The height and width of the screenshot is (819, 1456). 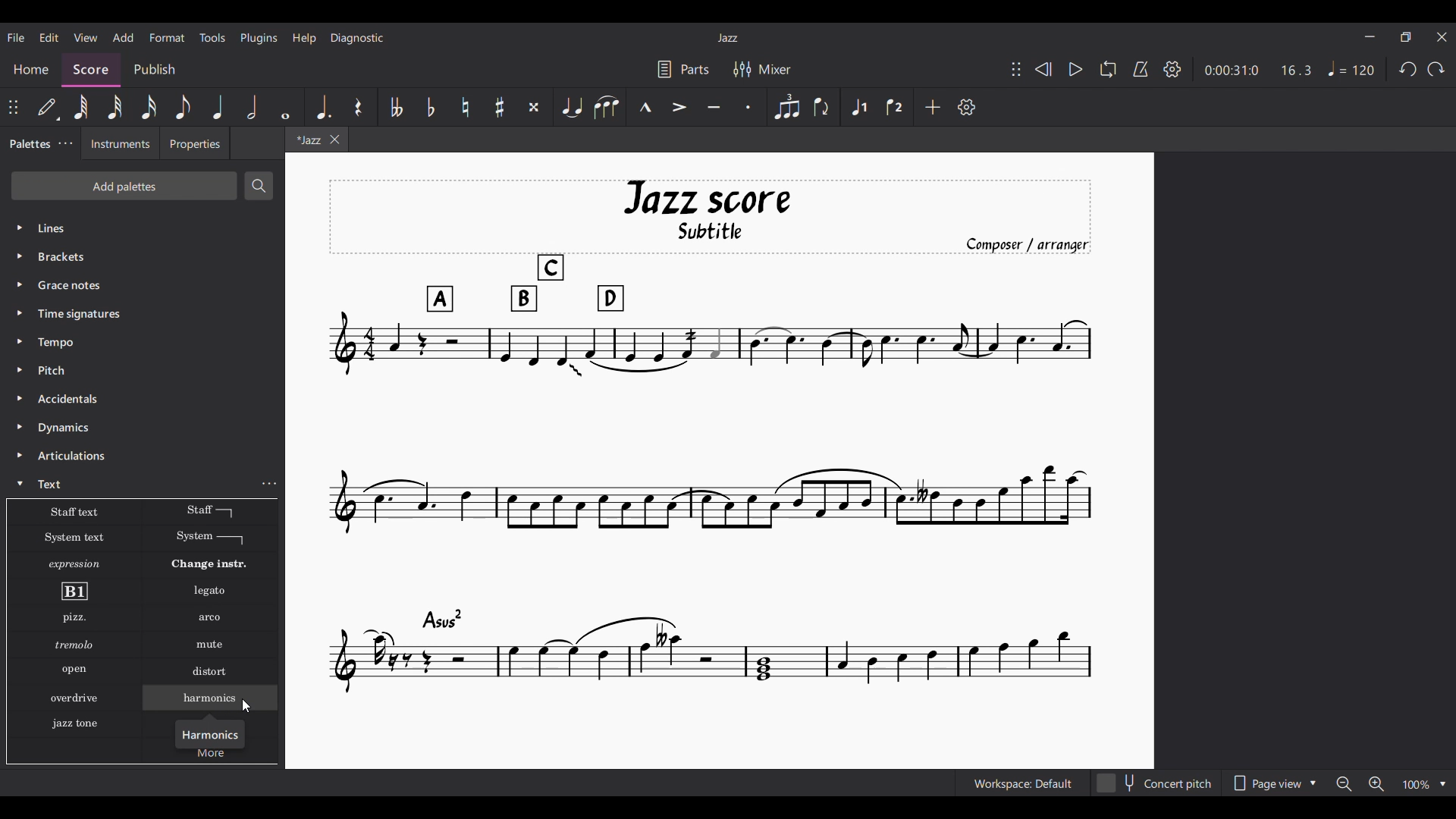 What do you see at coordinates (114, 107) in the screenshot?
I see `32nd note` at bounding box center [114, 107].